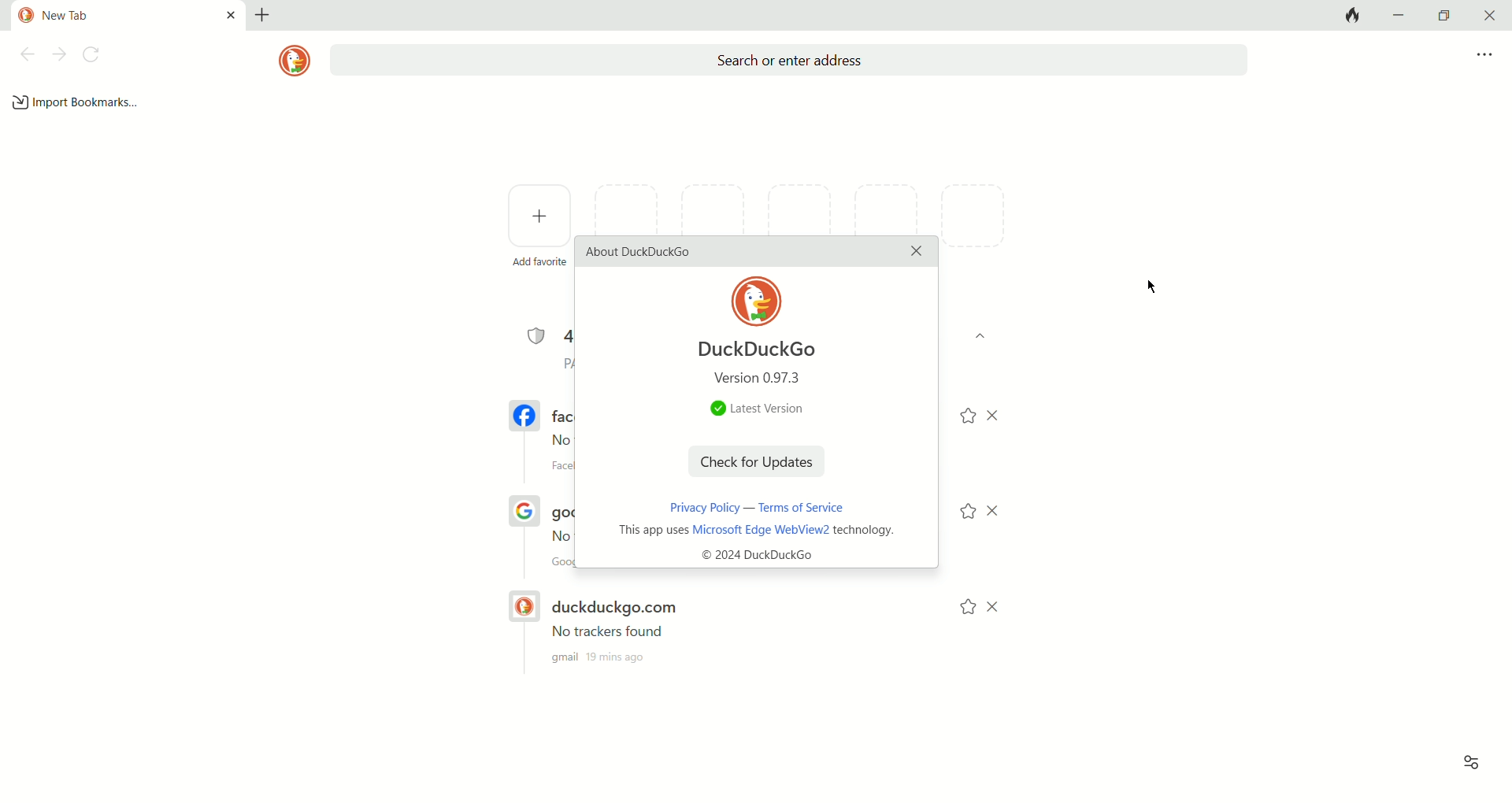  Describe the element at coordinates (963, 513) in the screenshot. I see `add to favorites` at that location.